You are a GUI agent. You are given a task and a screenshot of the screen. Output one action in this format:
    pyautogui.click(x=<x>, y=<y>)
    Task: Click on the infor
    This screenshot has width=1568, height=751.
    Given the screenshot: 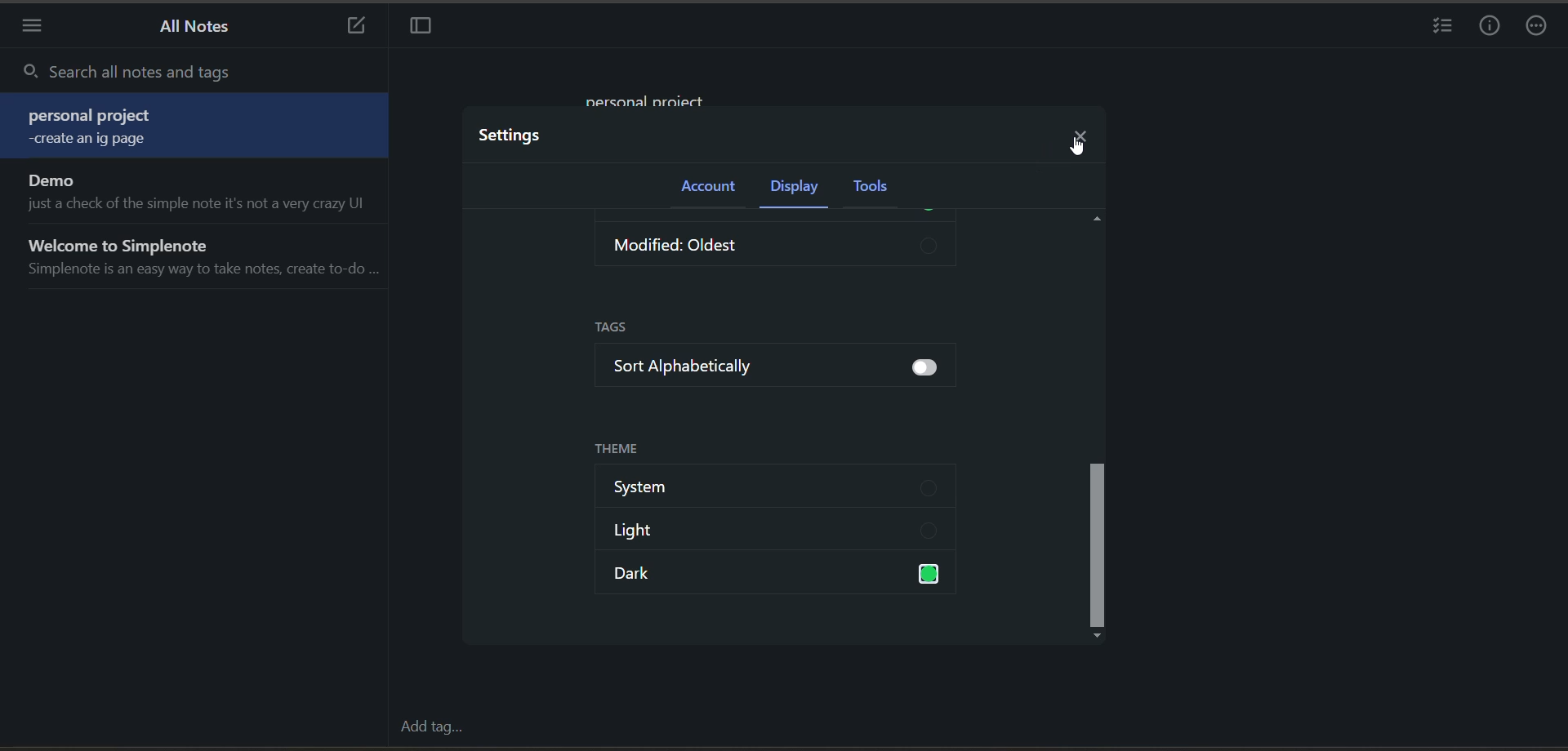 What is the action you would take?
    pyautogui.click(x=1490, y=27)
    